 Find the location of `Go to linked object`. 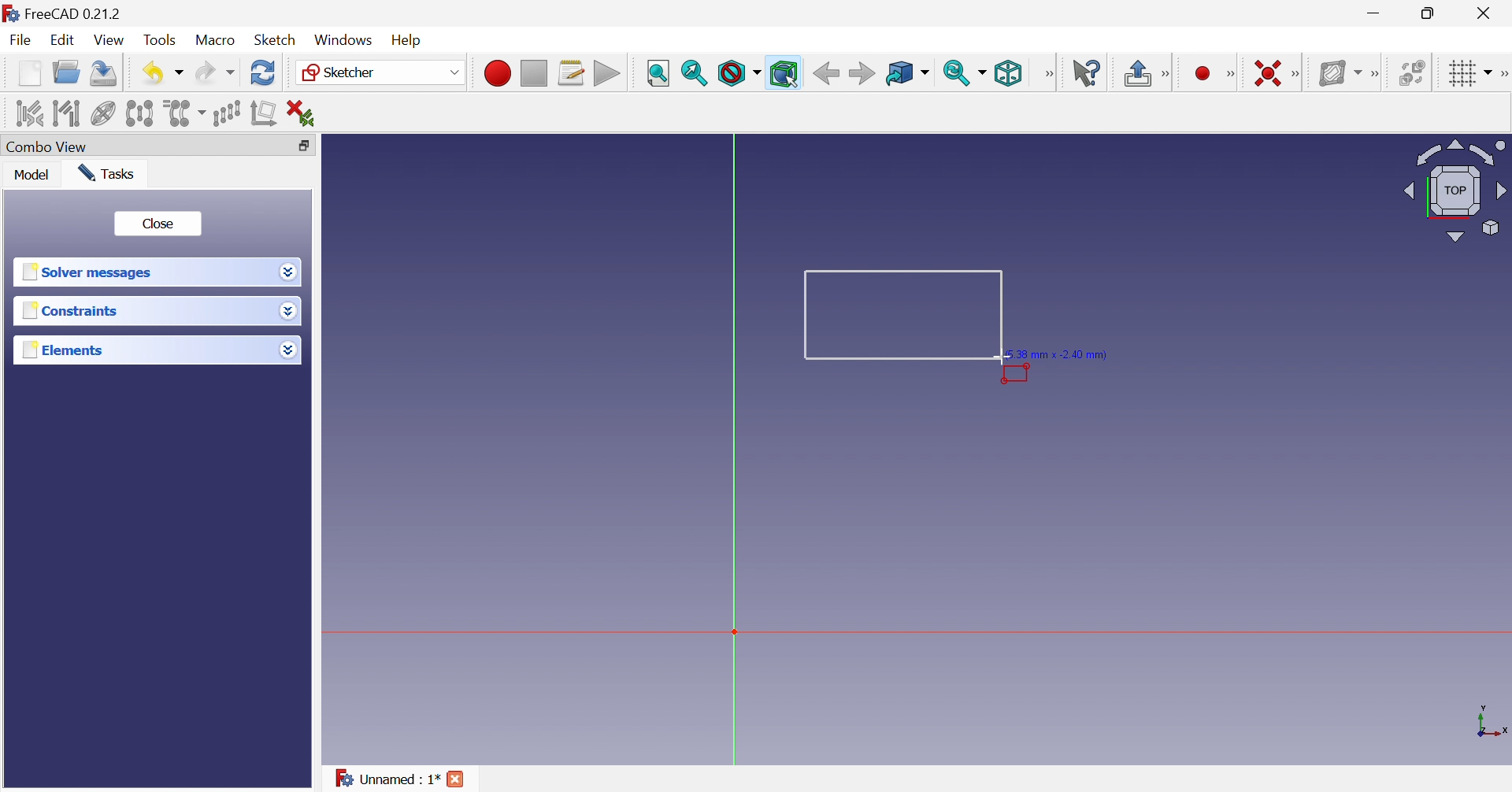

Go to linked object is located at coordinates (906, 74).